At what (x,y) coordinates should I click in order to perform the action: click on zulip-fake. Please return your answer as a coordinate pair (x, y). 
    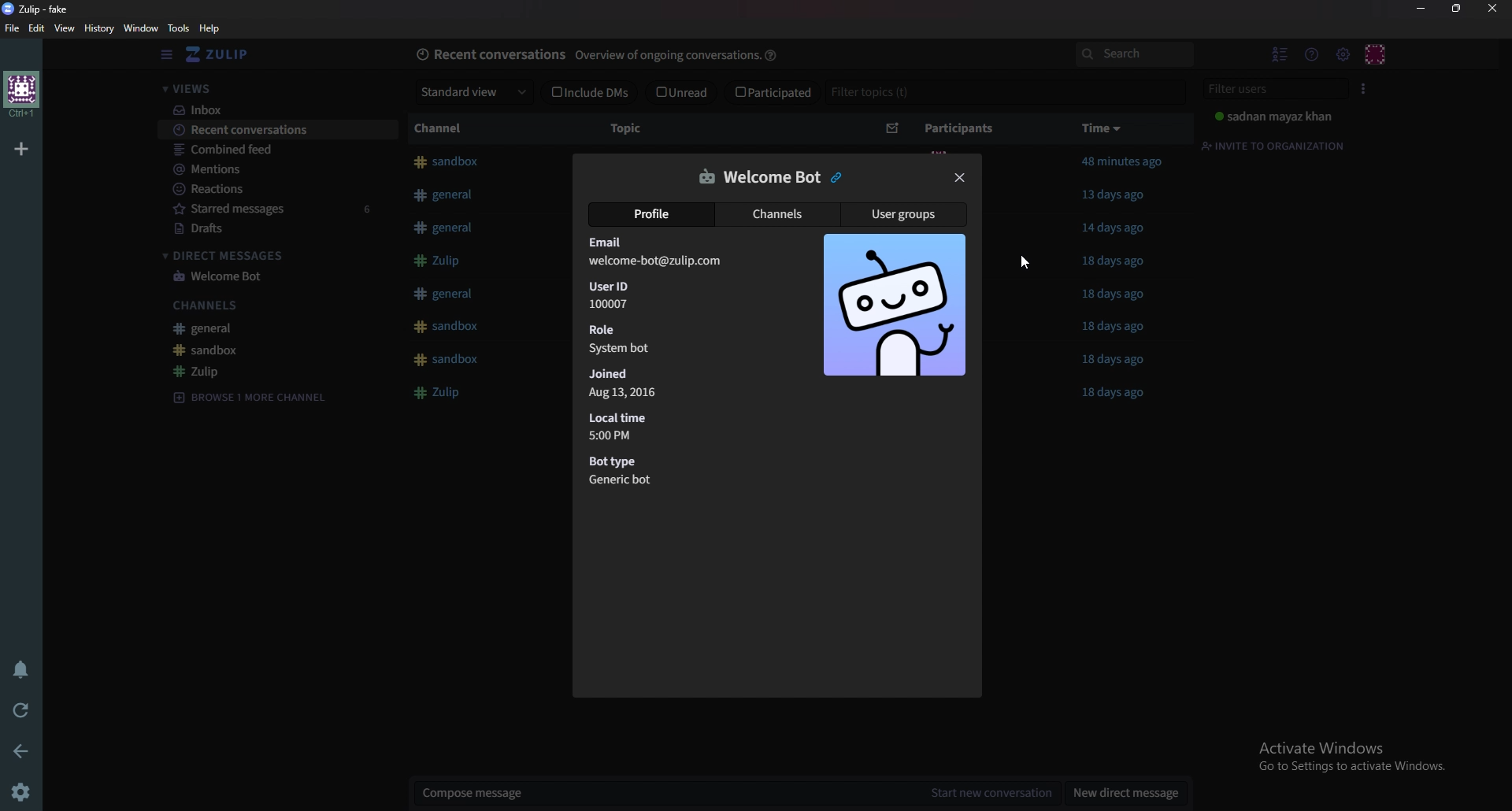
    Looking at the image, I should click on (39, 9).